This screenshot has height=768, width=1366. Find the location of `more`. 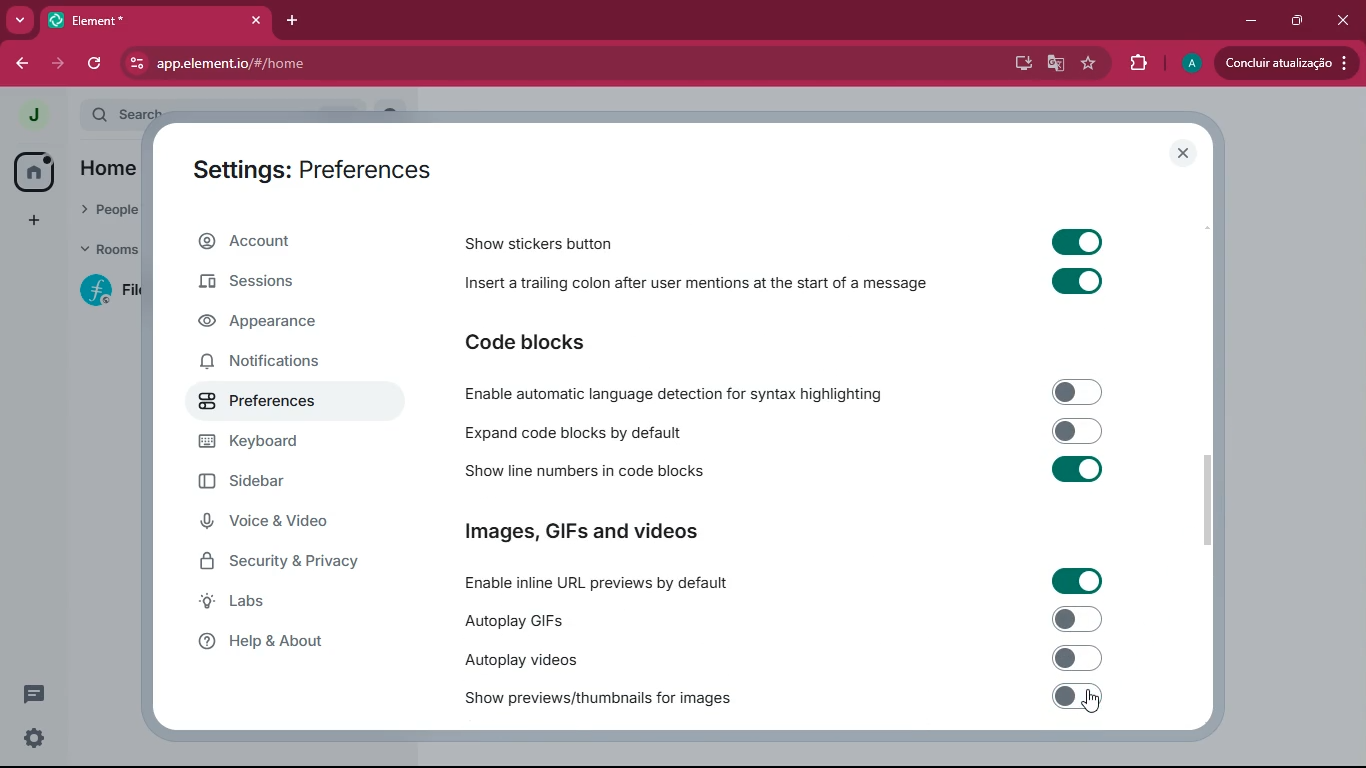

more is located at coordinates (22, 19).